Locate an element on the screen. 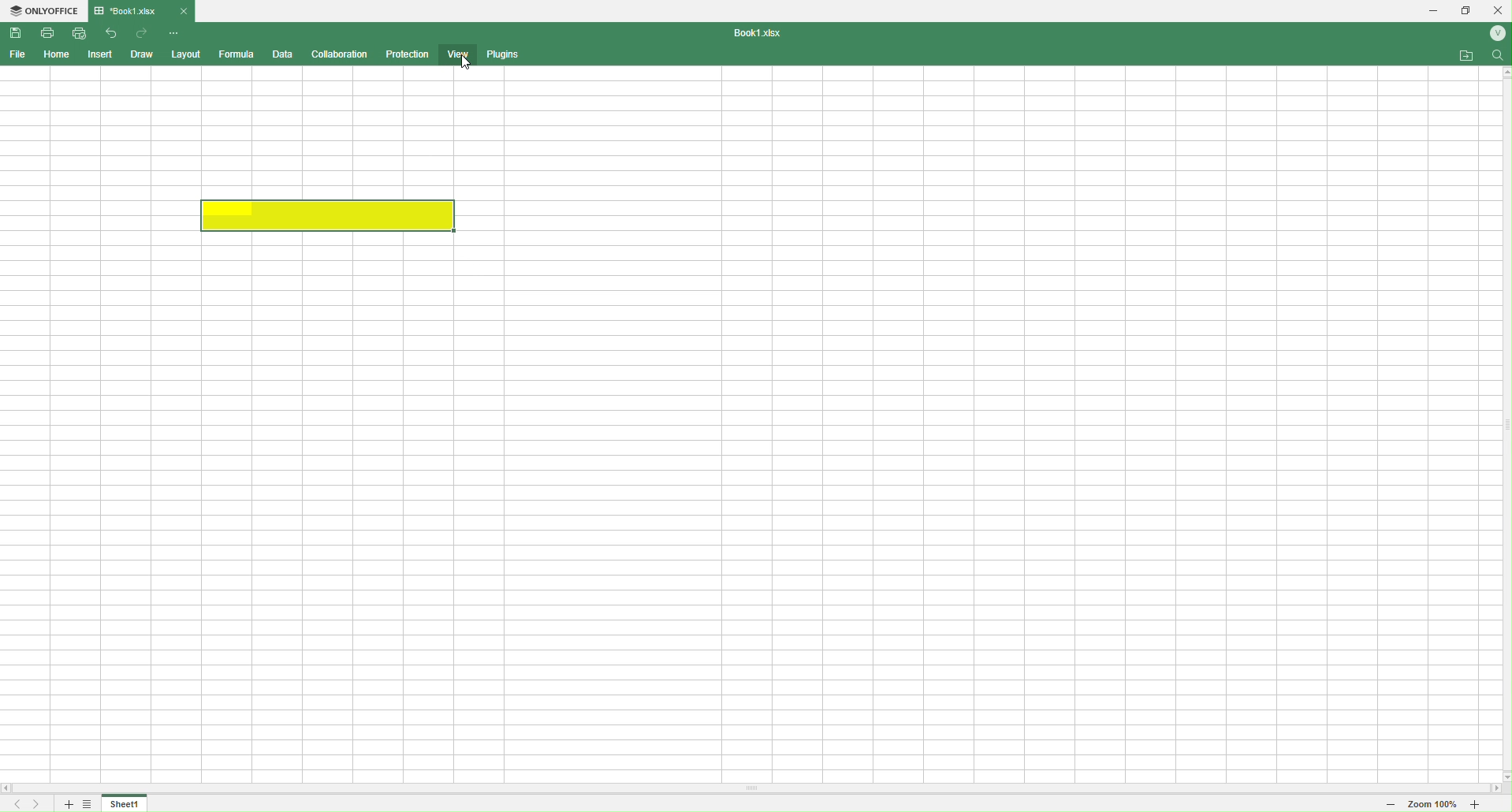  Protection is located at coordinates (408, 53).